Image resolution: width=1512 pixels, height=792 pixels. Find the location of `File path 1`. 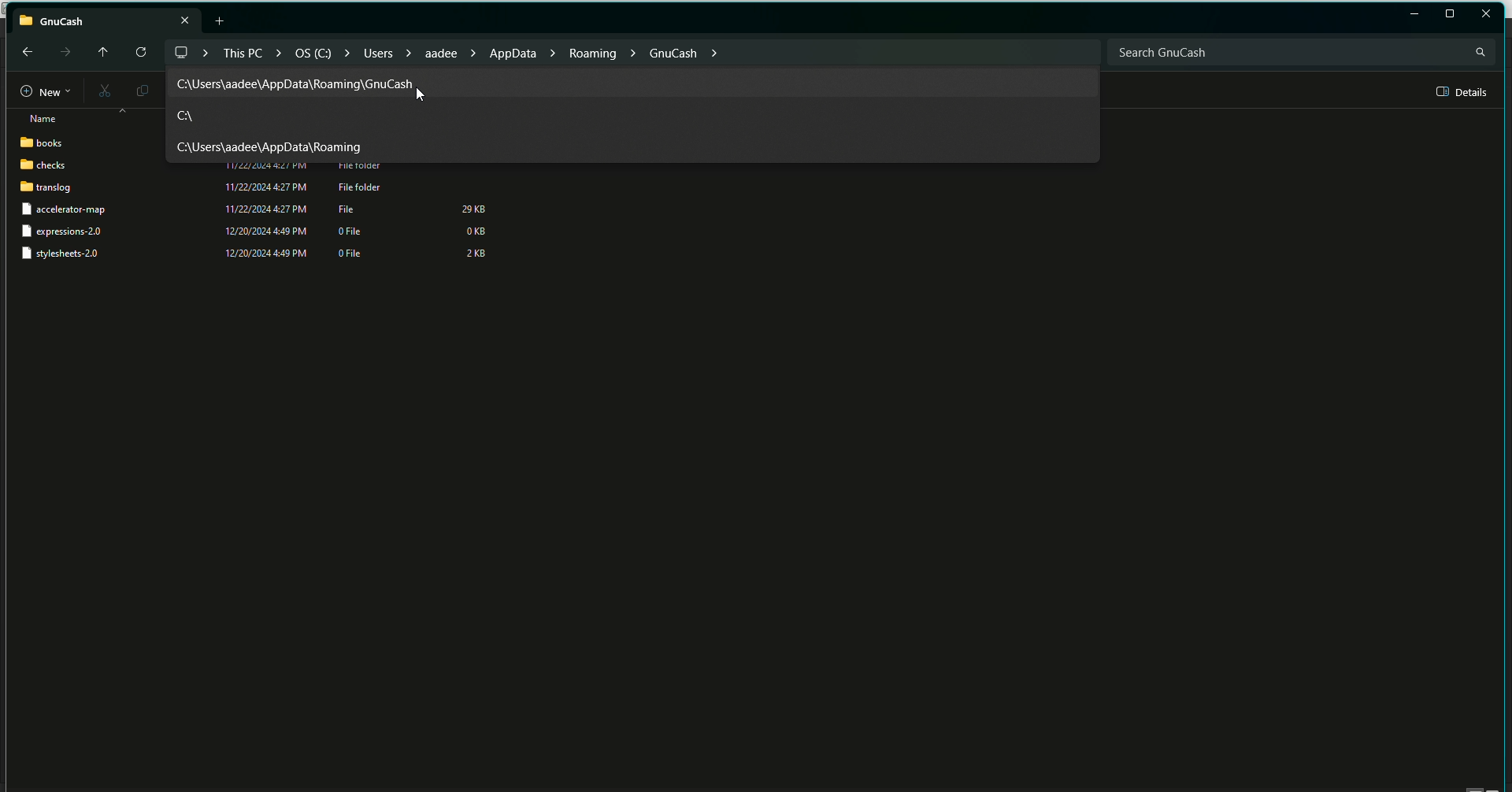

File path 1 is located at coordinates (295, 84).